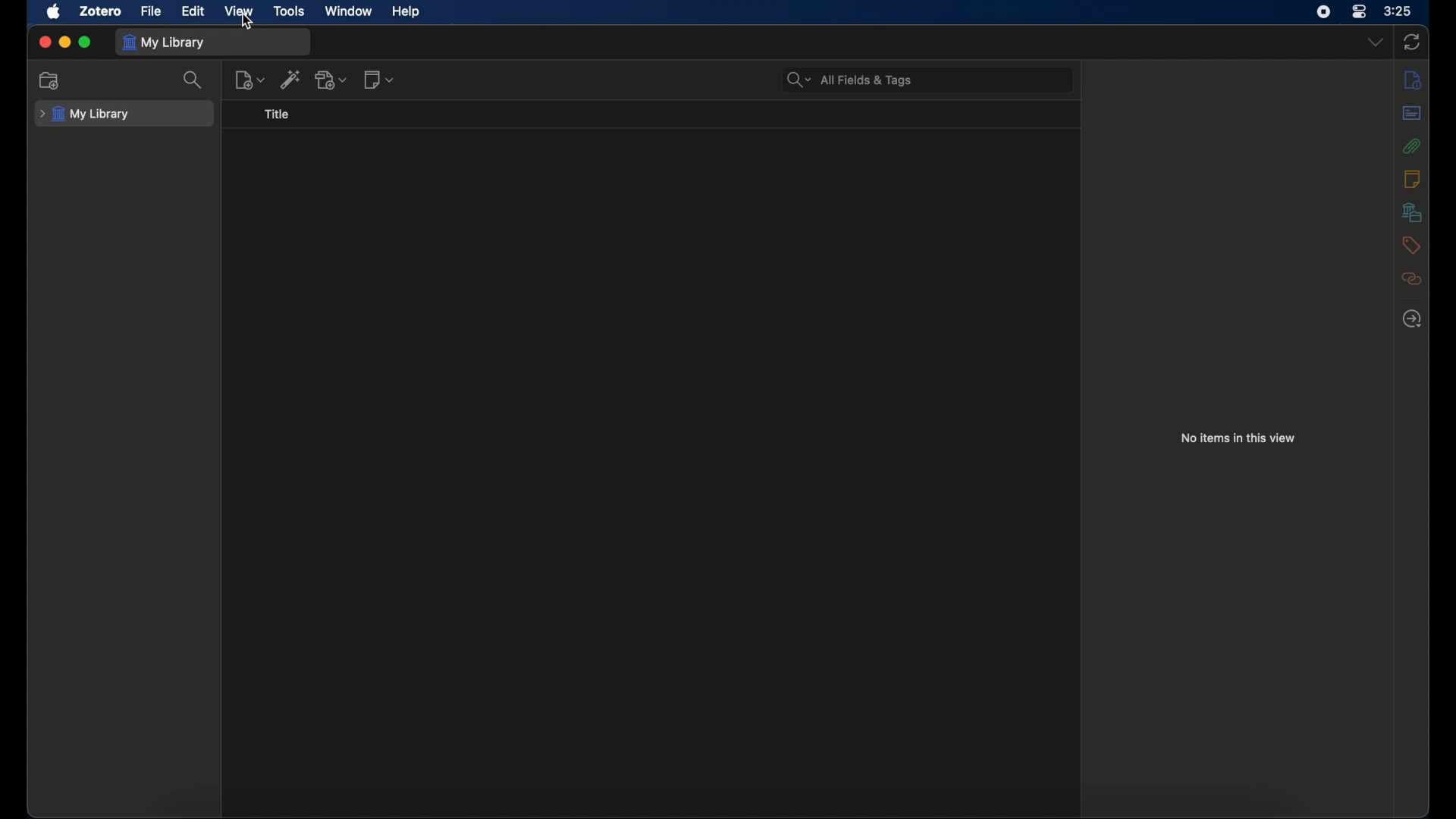 This screenshot has width=1456, height=819. I want to click on no items in this view, so click(1238, 437).